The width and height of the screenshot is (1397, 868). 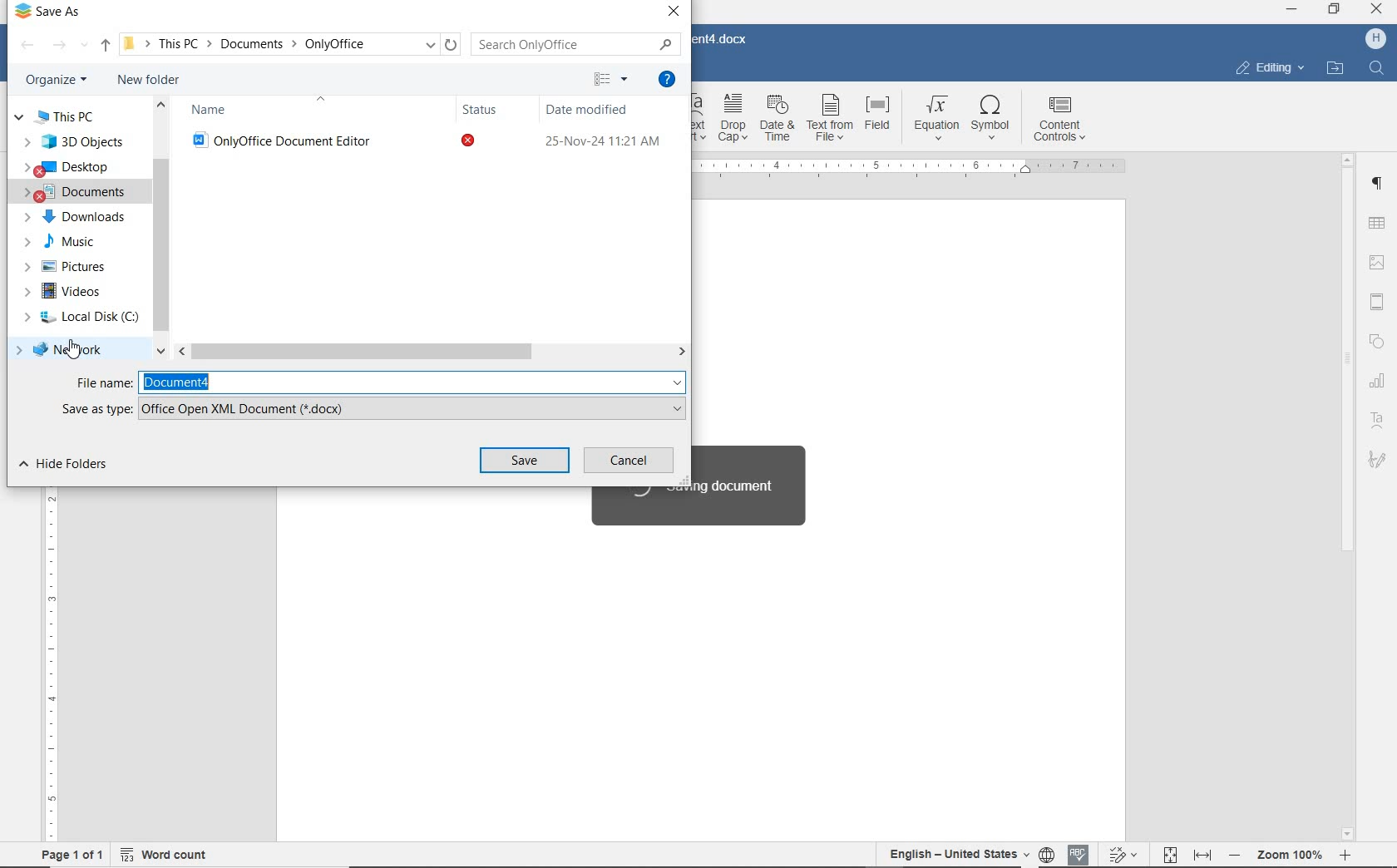 I want to click on symbol, so click(x=993, y=118).